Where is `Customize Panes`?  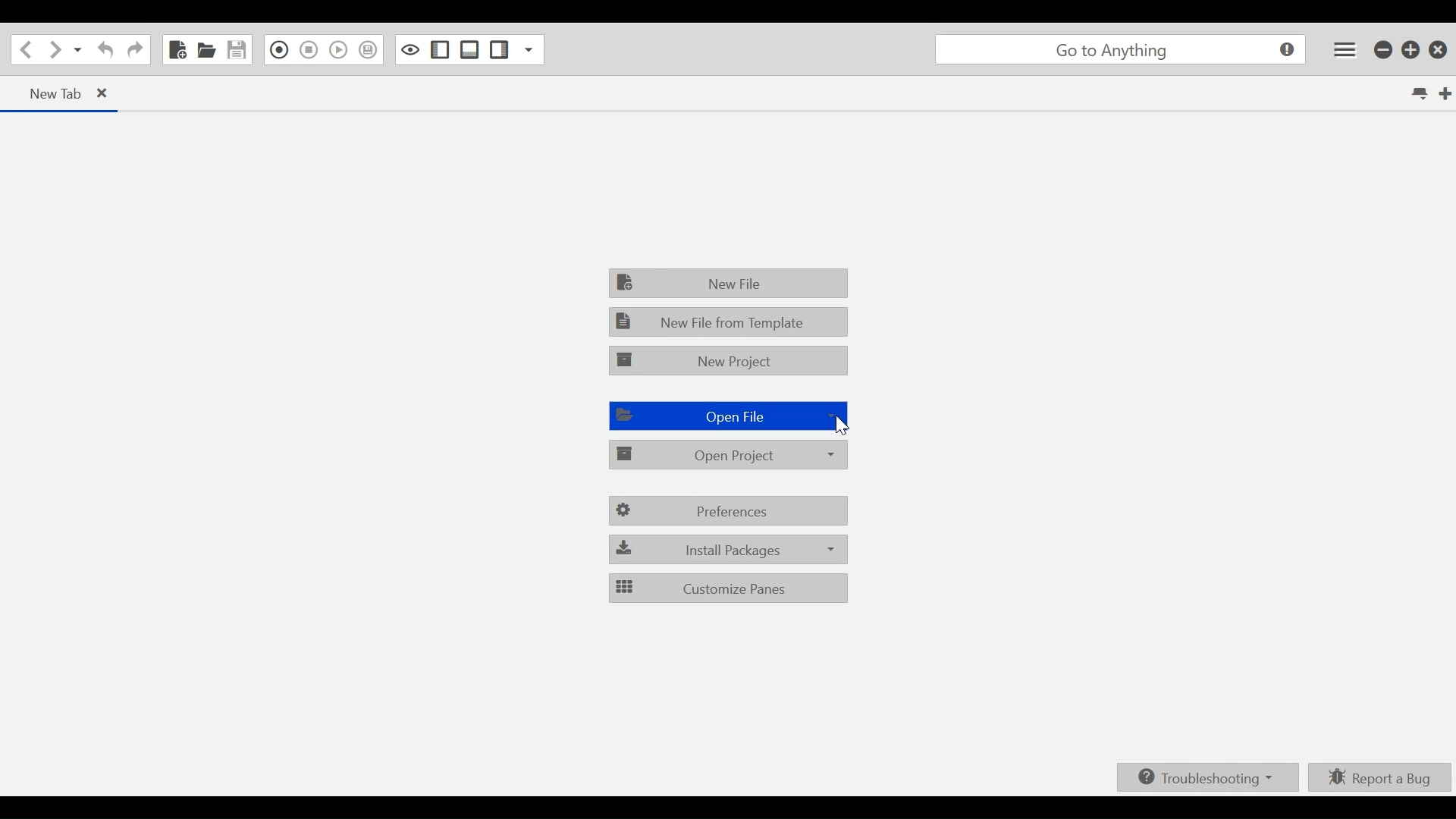 Customize Panes is located at coordinates (727, 586).